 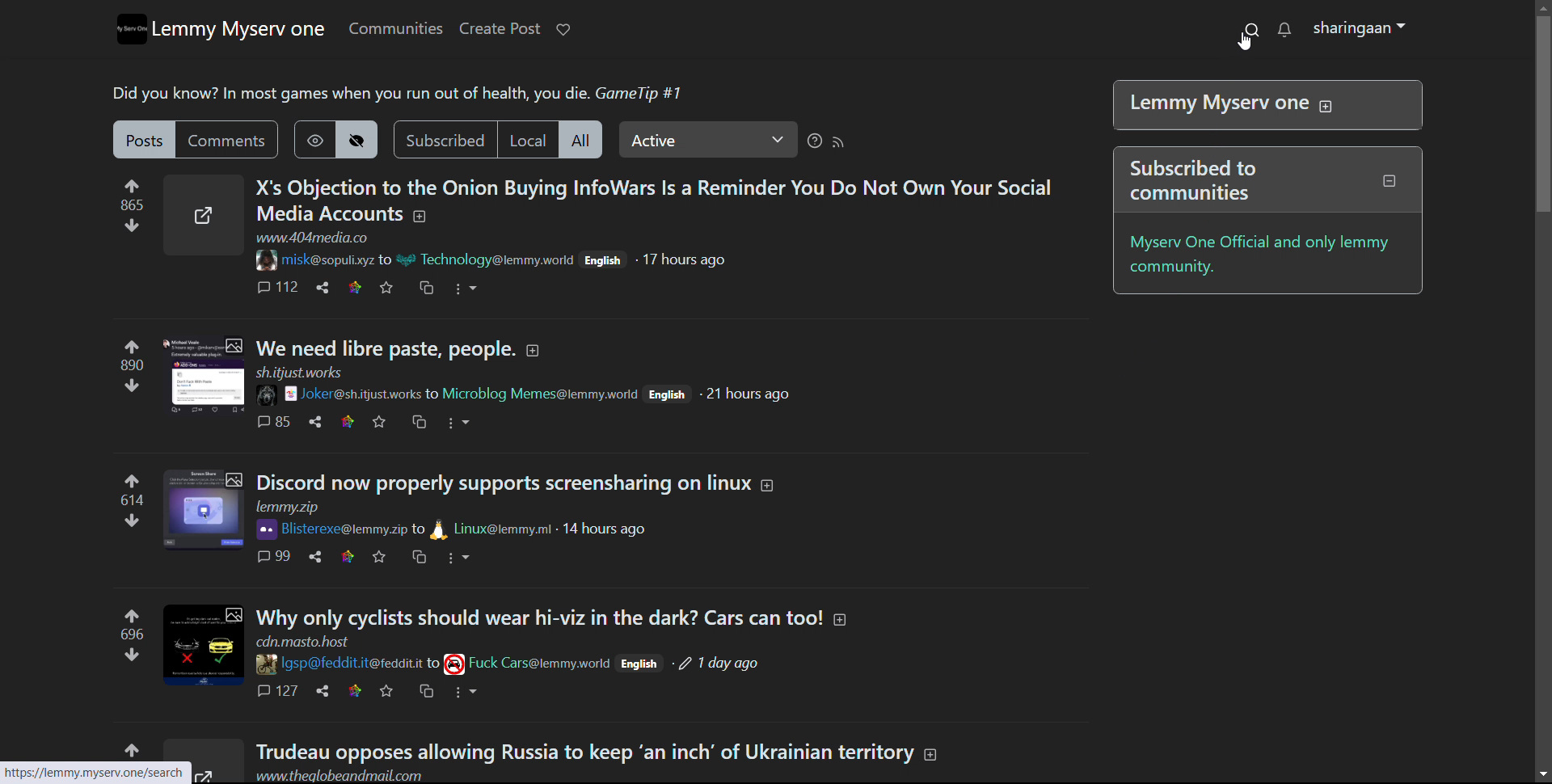 I want to click on post image, so click(x=196, y=377).